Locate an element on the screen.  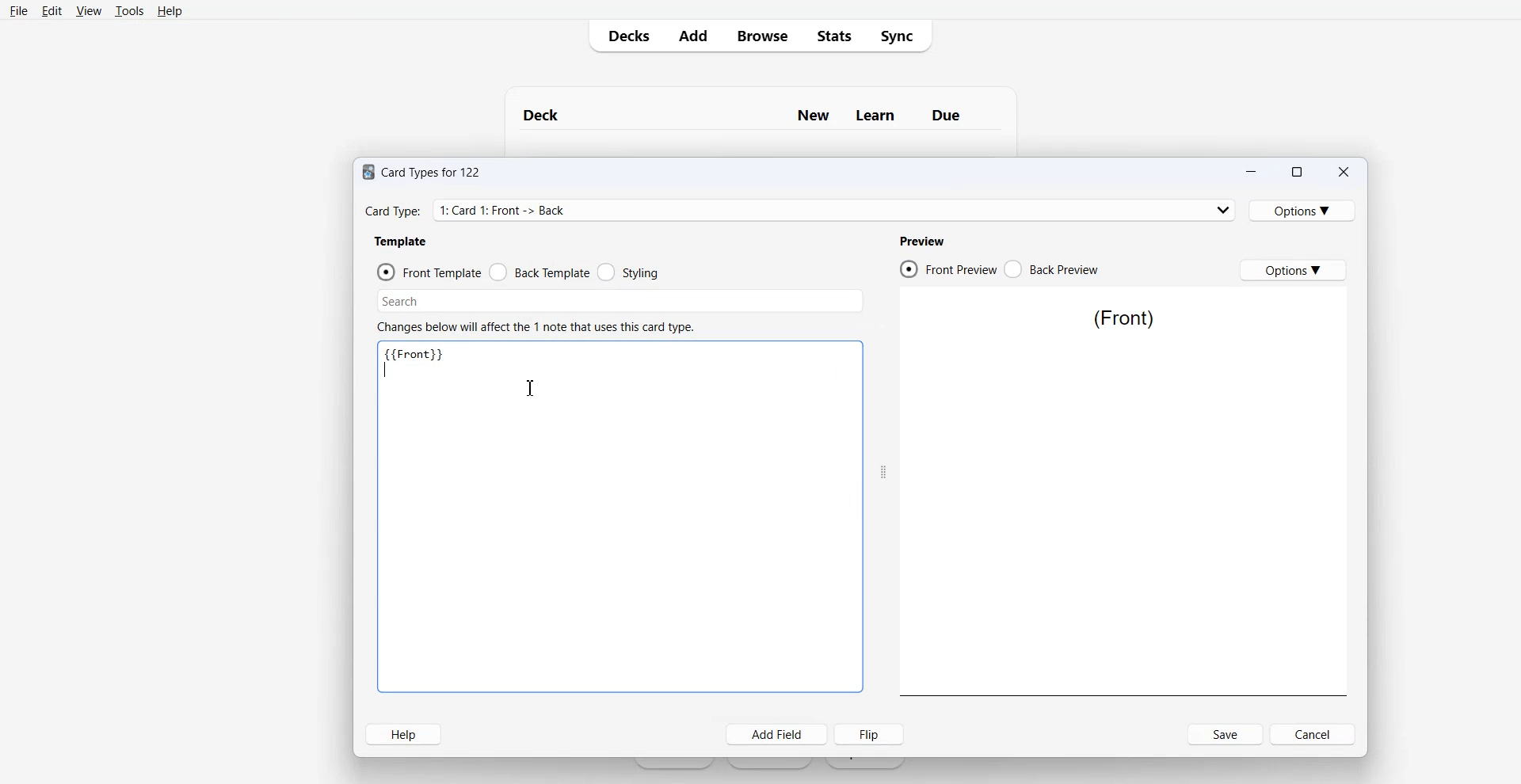
Maximize is located at coordinates (1297, 171).